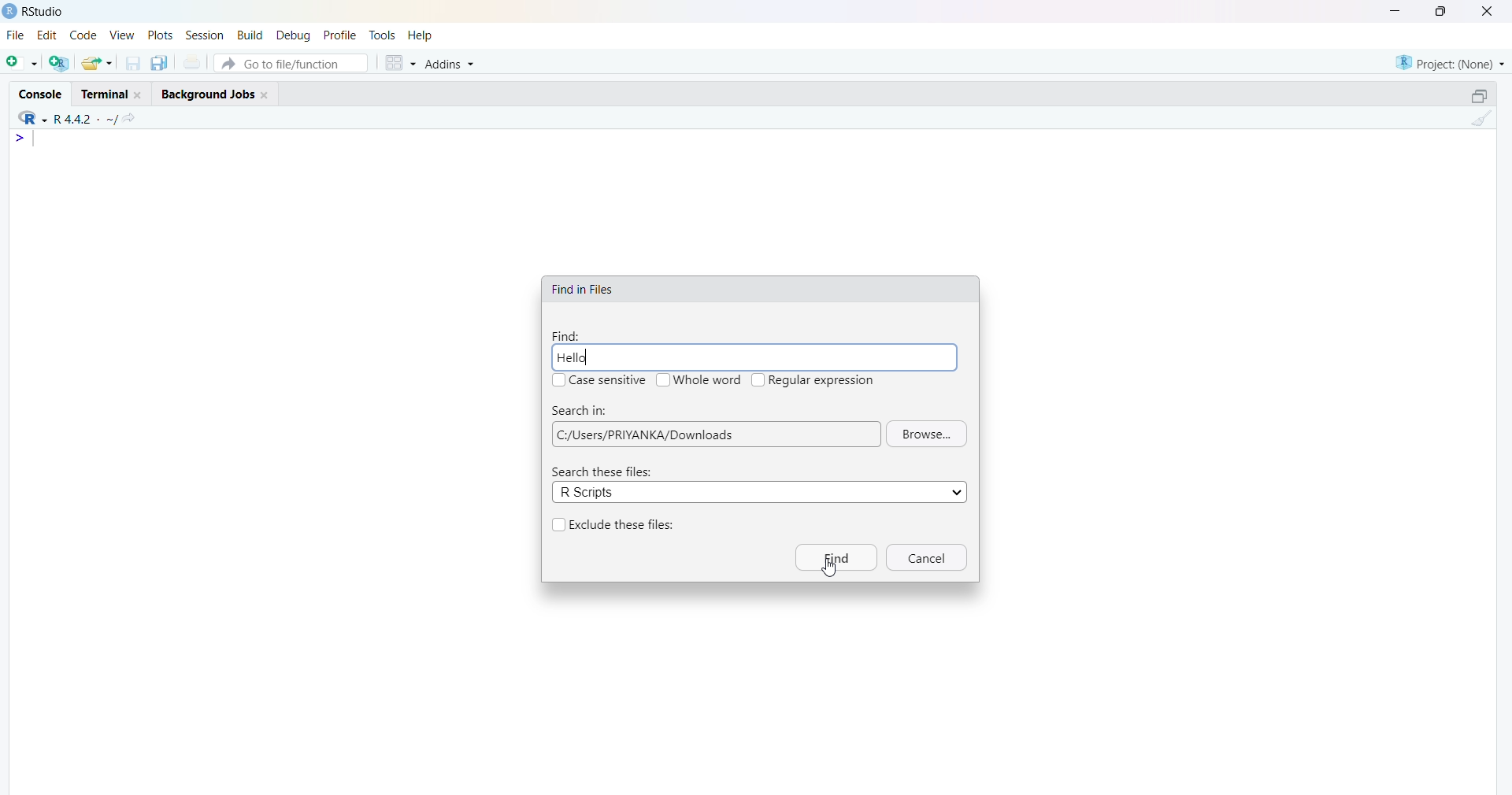 This screenshot has height=795, width=1512. What do you see at coordinates (760, 492) in the screenshot?
I see `R Scripts` at bounding box center [760, 492].